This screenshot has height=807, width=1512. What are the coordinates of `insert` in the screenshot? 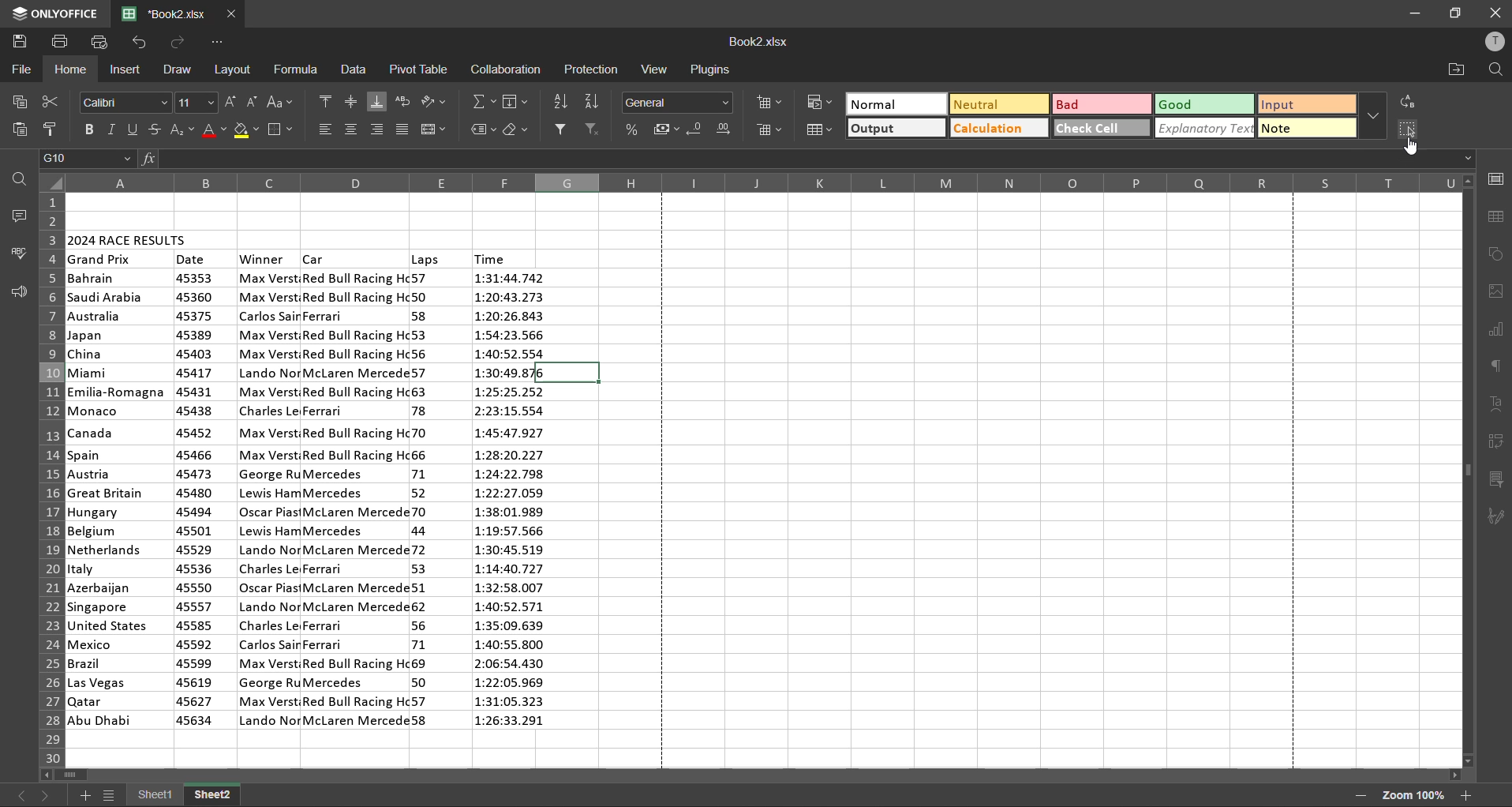 It's located at (129, 70).